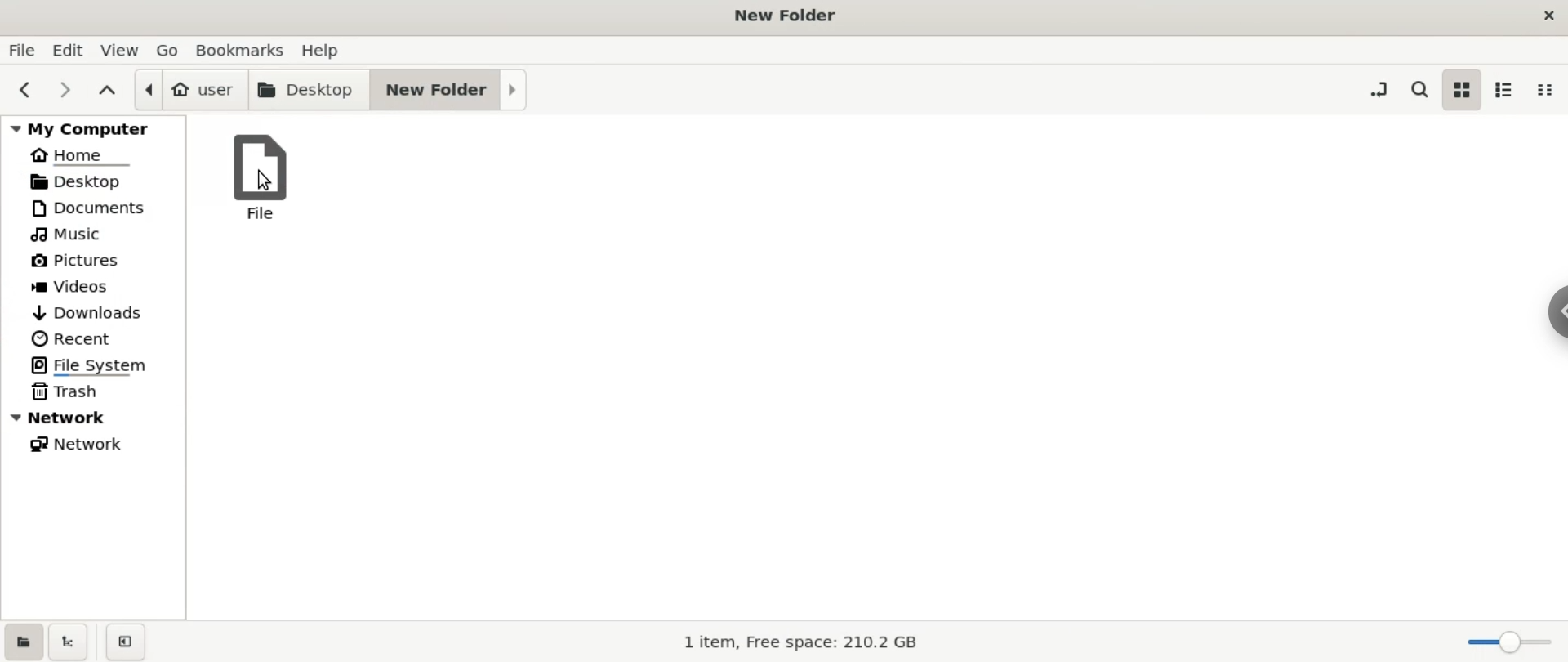 The image size is (1568, 662). I want to click on list view, so click(1506, 91).